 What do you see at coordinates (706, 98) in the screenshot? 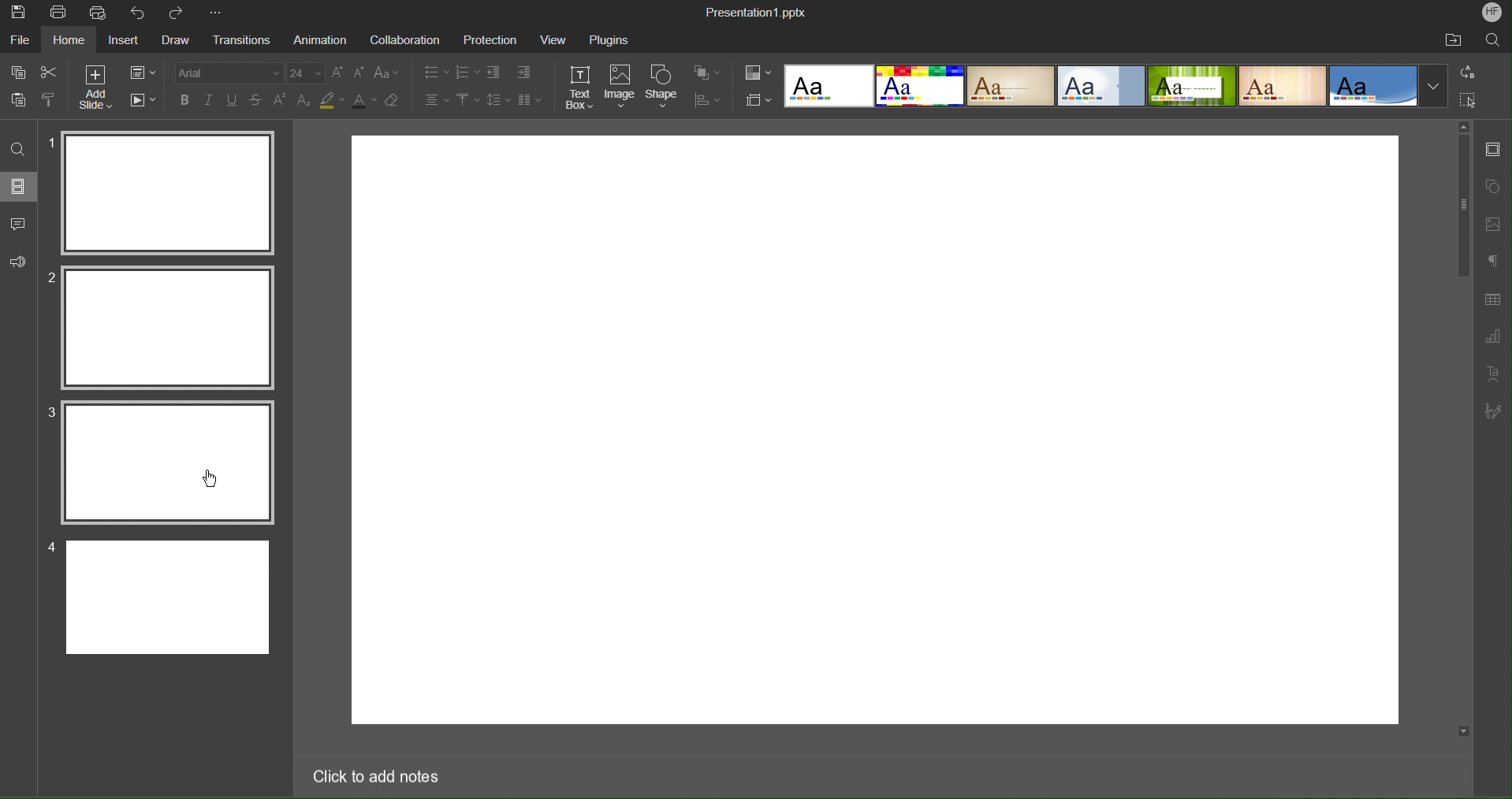
I see `Distribute` at bounding box center [706, 98].